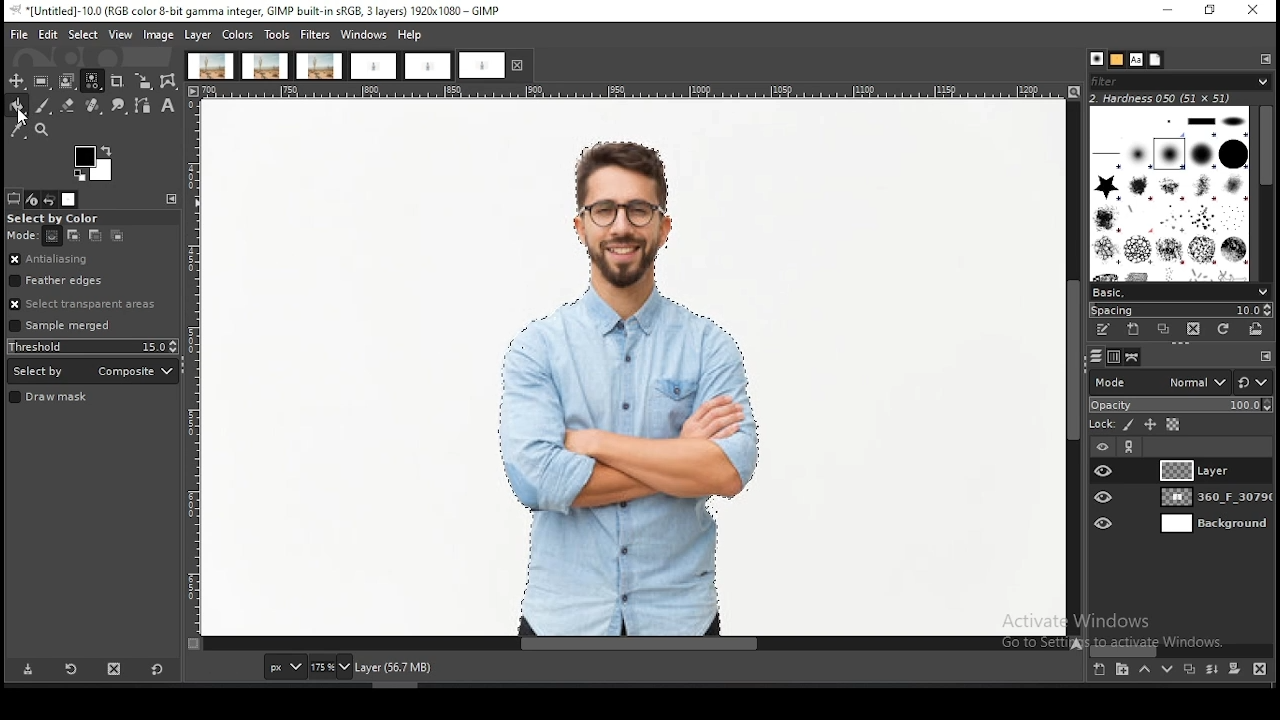  What do you see at coordinates (1100, 668) in the screenshot?
I see `create a new layer` at bounding box center [1100, 668].